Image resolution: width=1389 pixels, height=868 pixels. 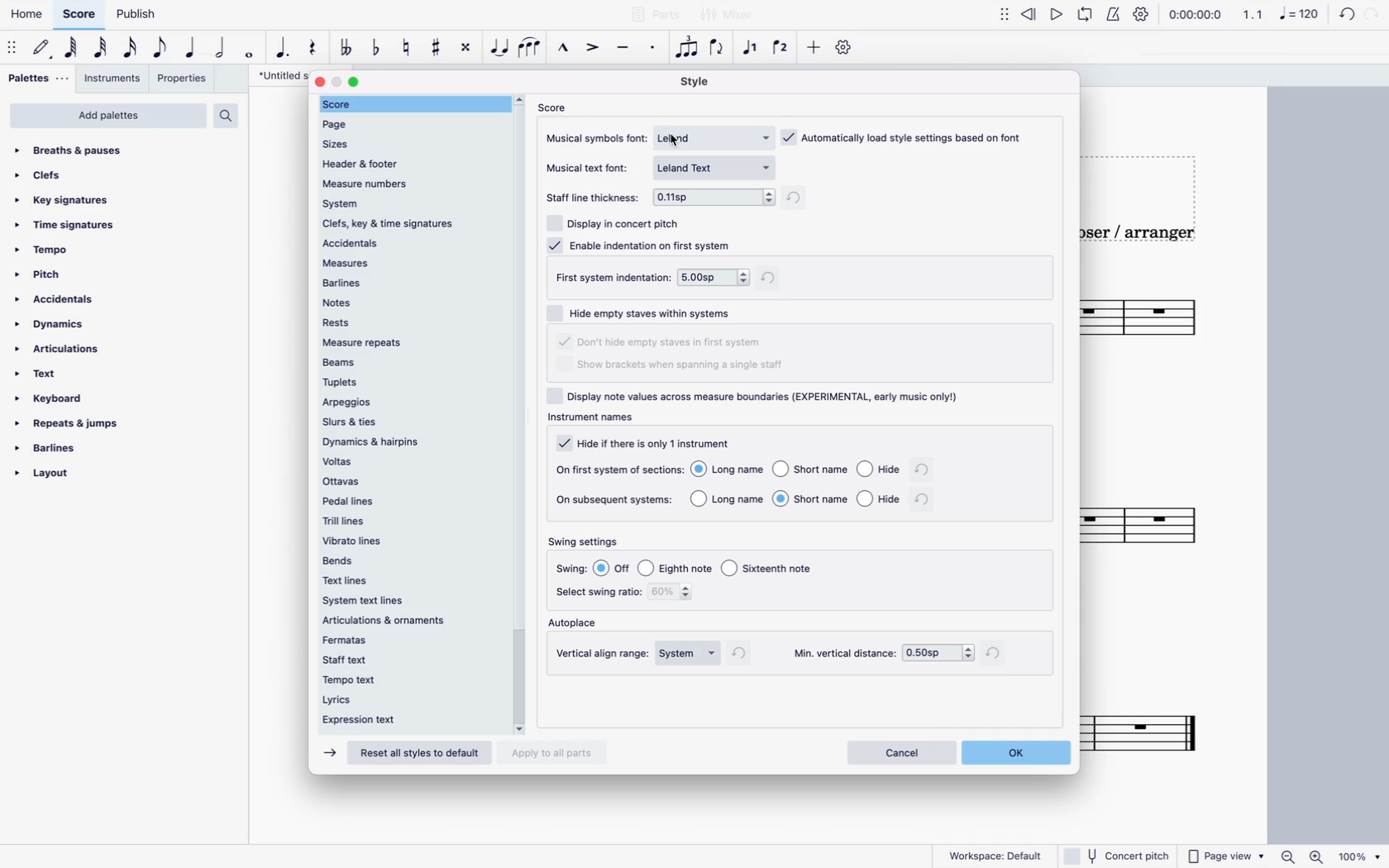 I want to click on system, so click(x=408, y=204).